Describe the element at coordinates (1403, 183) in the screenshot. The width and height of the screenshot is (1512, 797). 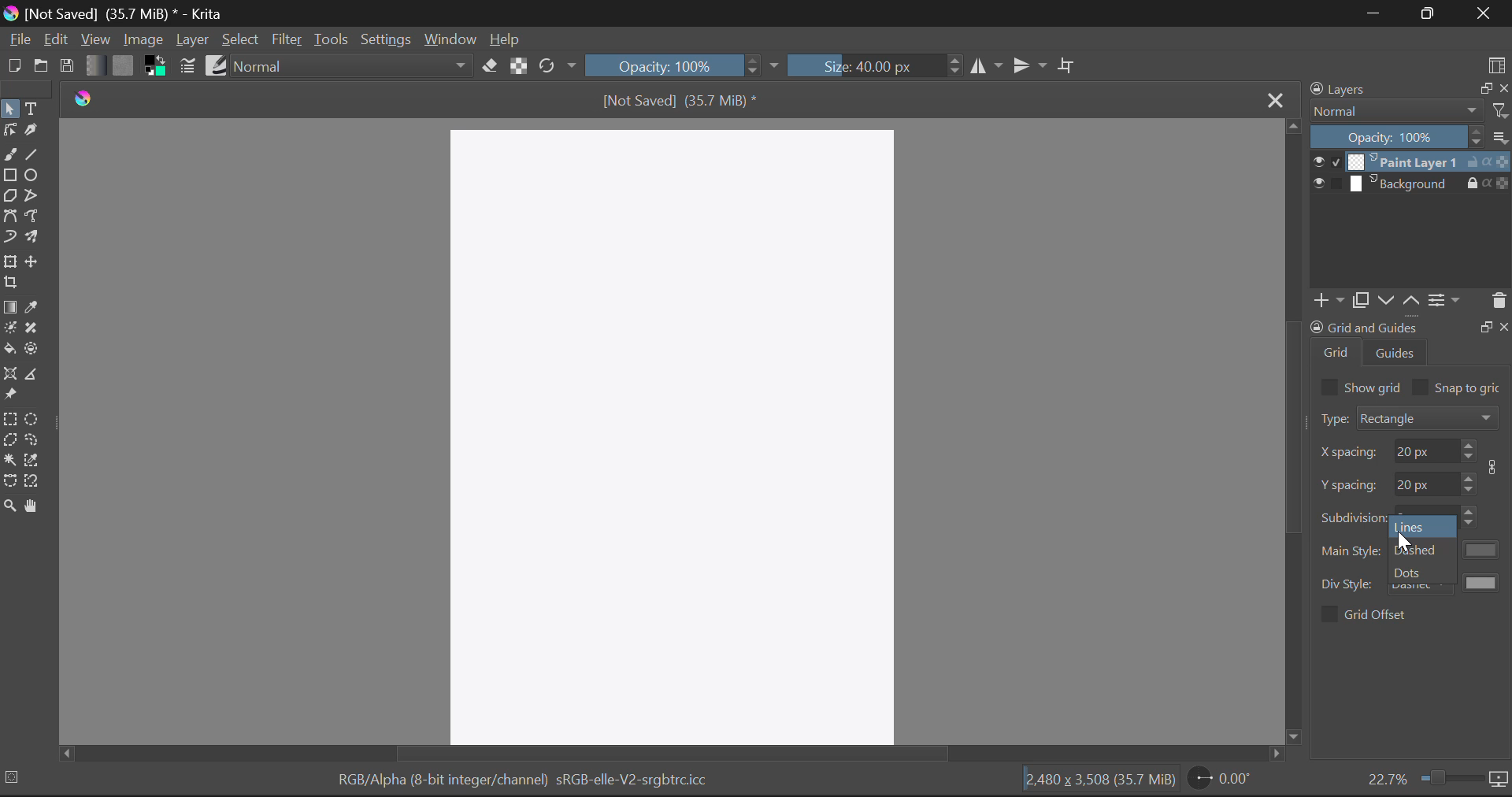
I see `layer 2` at that location.